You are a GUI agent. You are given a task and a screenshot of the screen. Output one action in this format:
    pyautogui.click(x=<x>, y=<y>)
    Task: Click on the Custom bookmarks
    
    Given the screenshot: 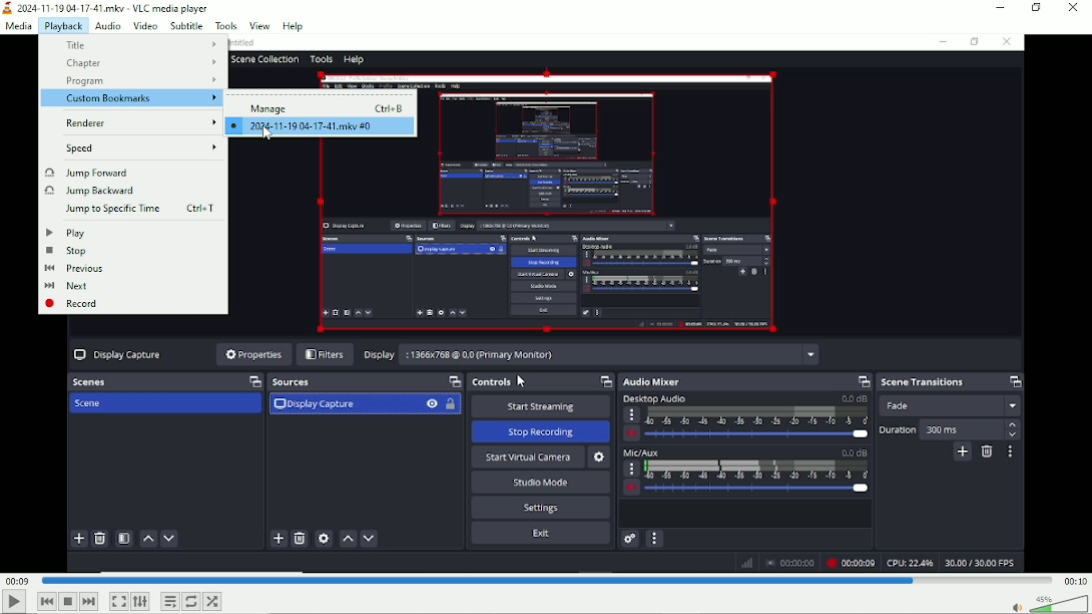 What is the action you would take?
    pyautogui.click(x=132, y=98)
    